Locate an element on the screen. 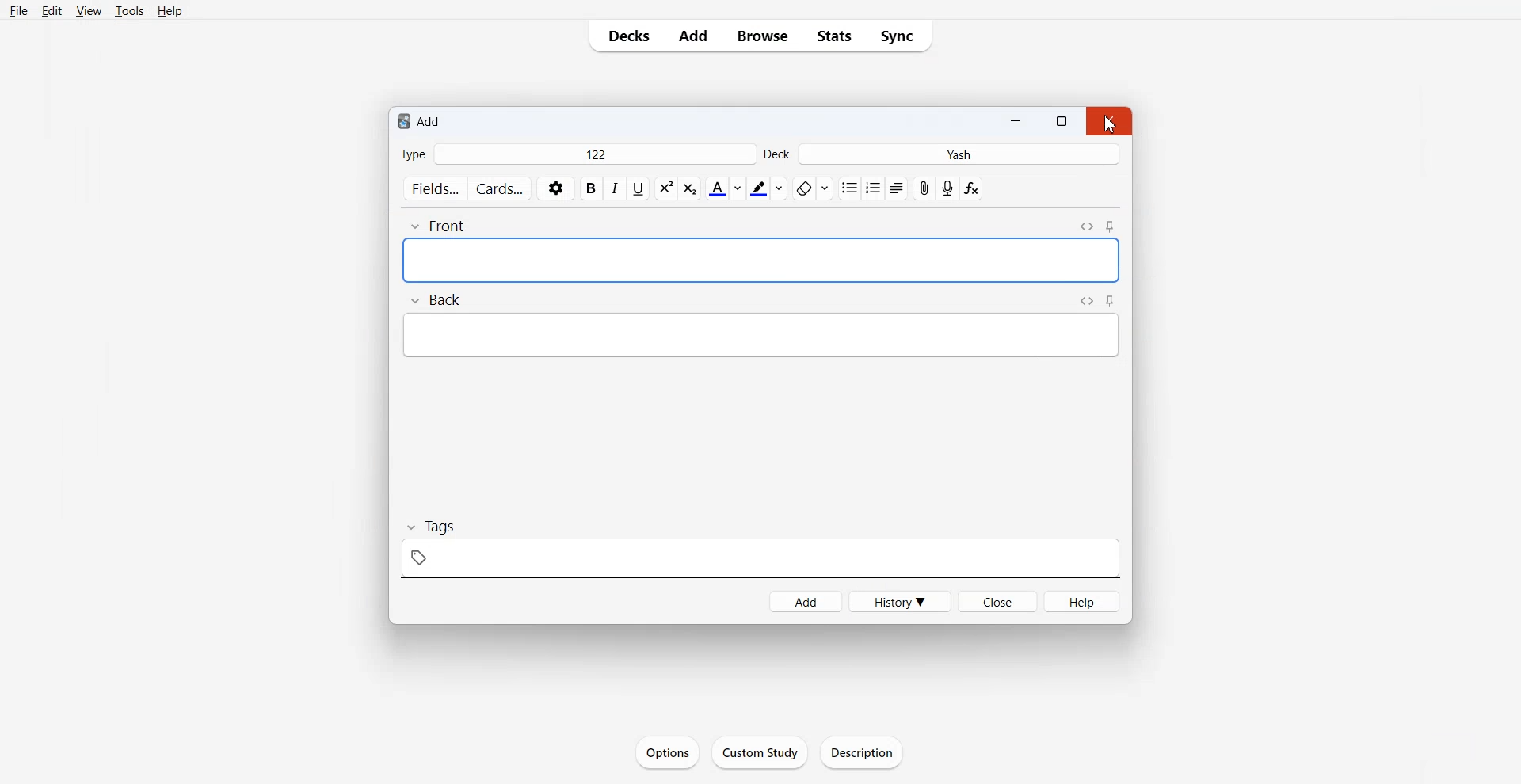  Close is located at coordinates (1107, 120).